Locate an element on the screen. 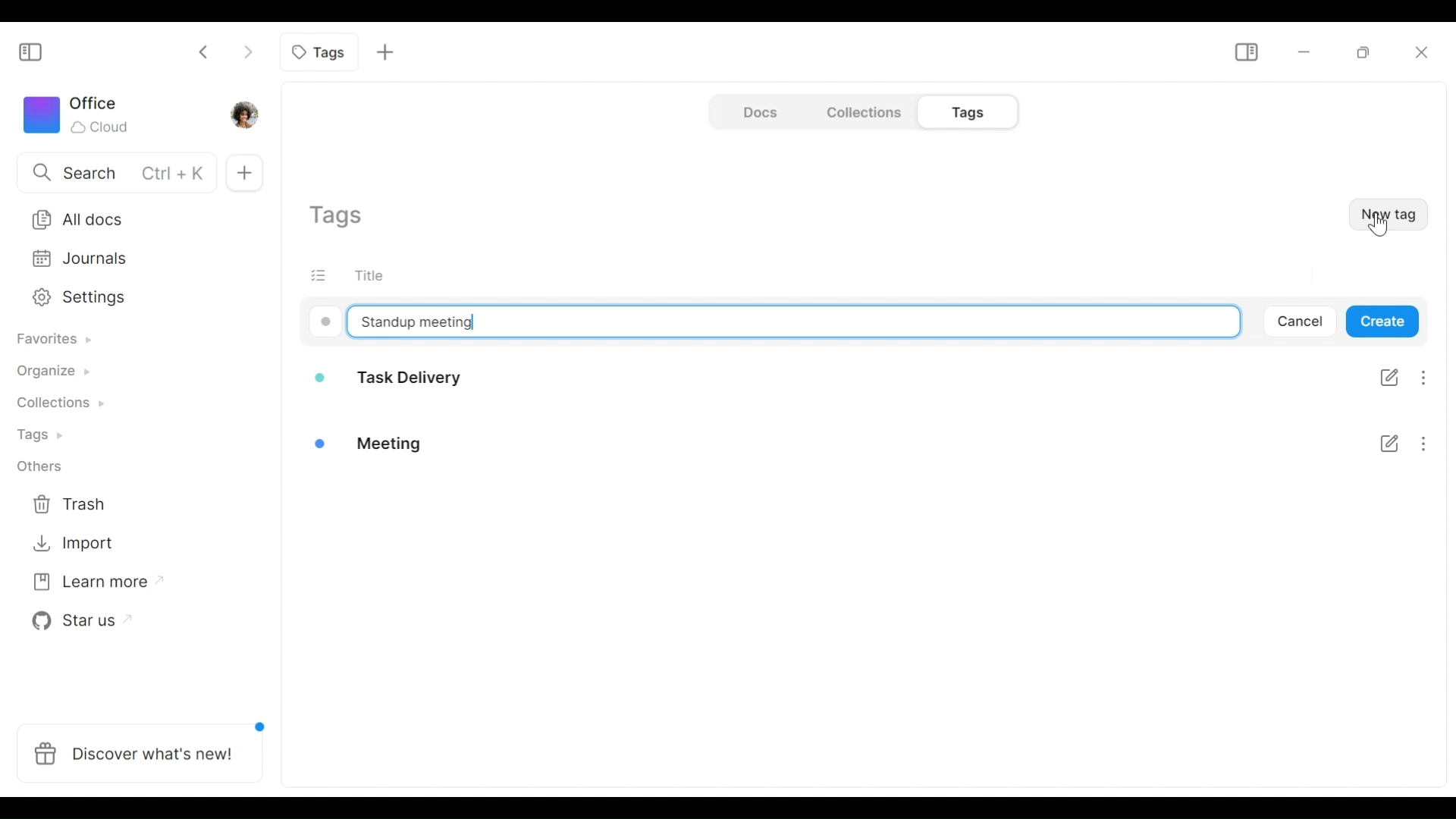 The width and height of the screenshot is (1456, 819). More options is located at coordinates (1430, 409).